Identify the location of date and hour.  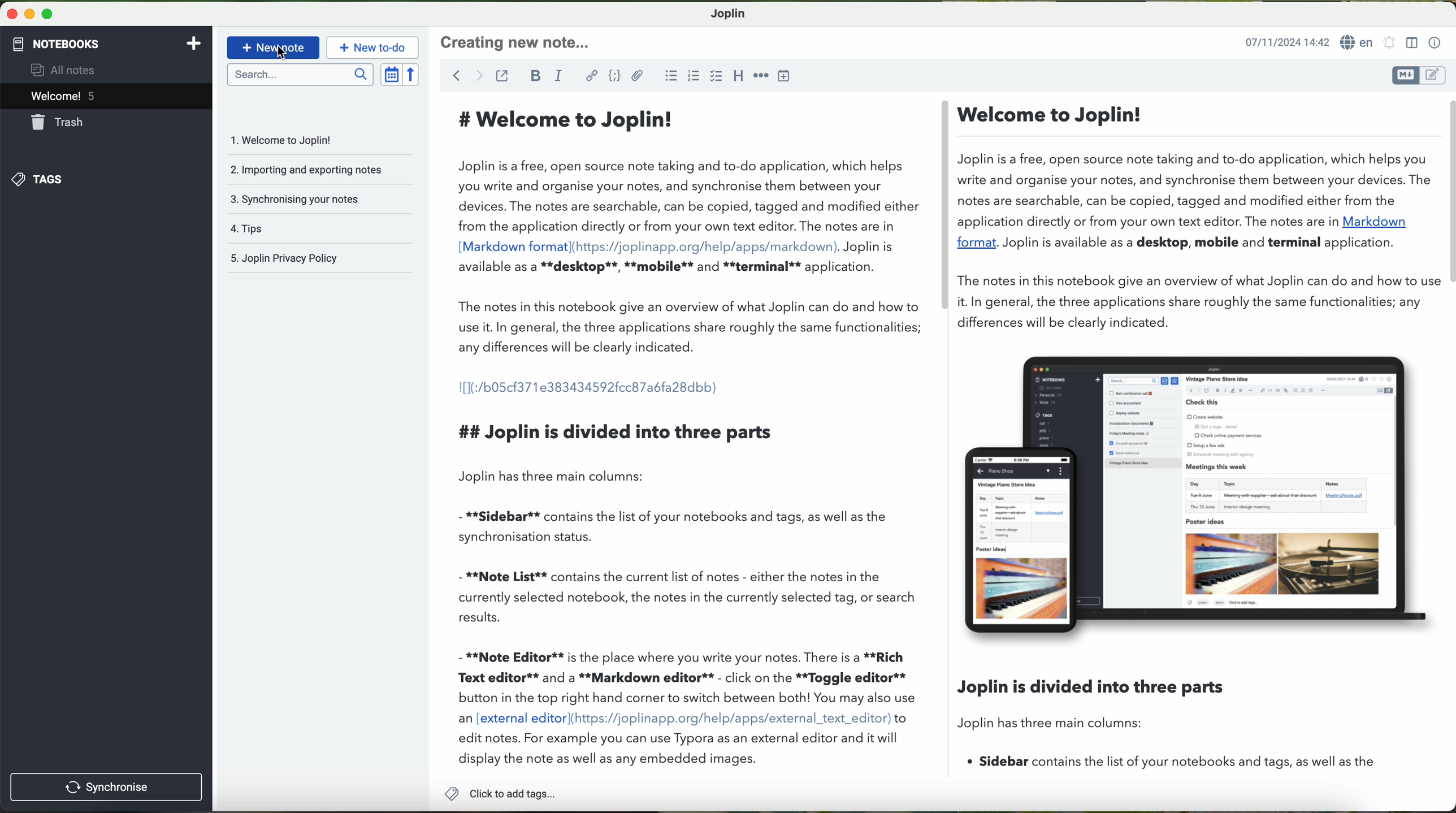
(1286, 41).